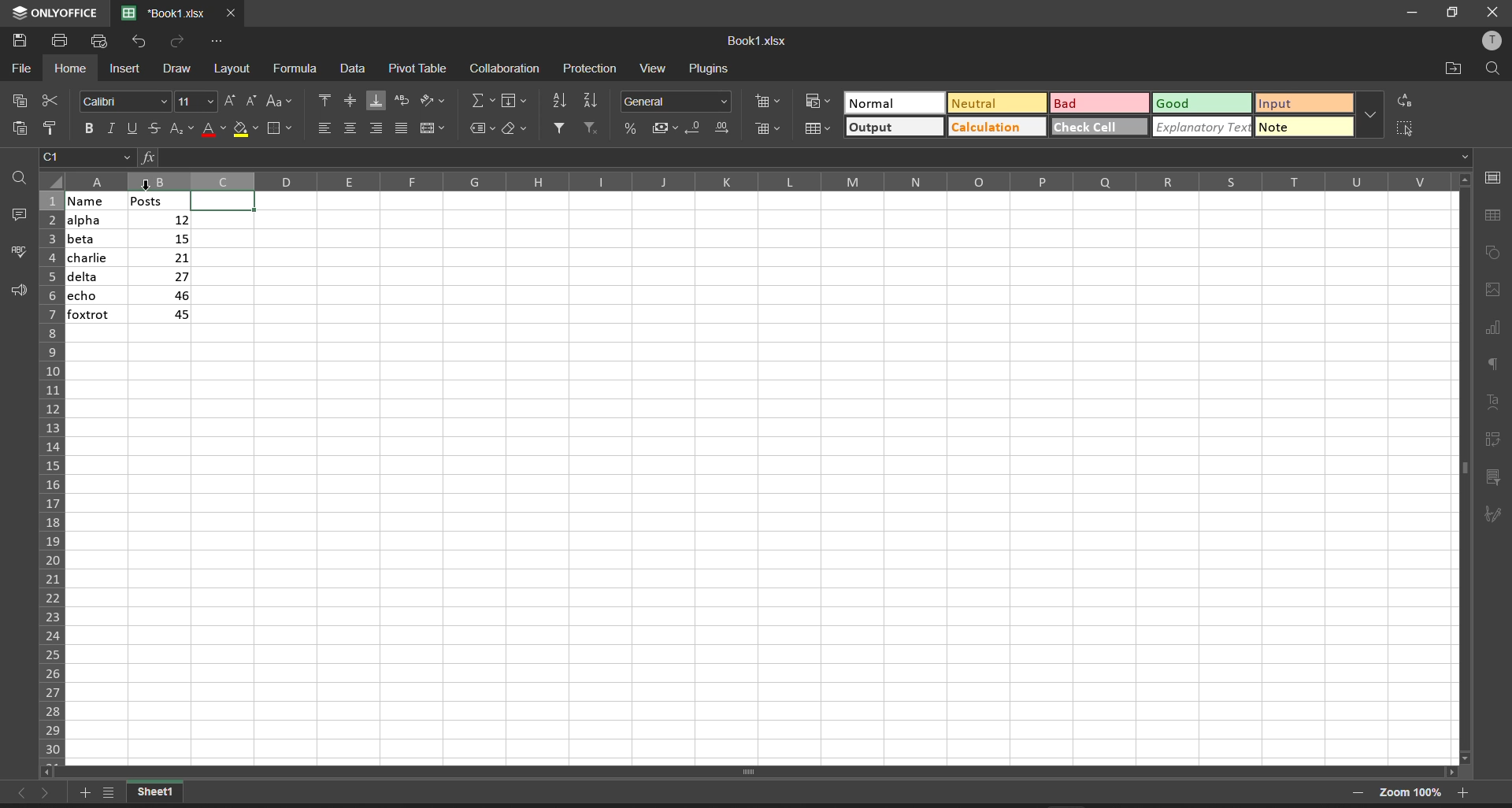 This screenshot has height=808, width=1512. What do you see at coordinates (755, 40) in the screenshot?
I see `Book1.xlsx` at bounding box center [755, 40].